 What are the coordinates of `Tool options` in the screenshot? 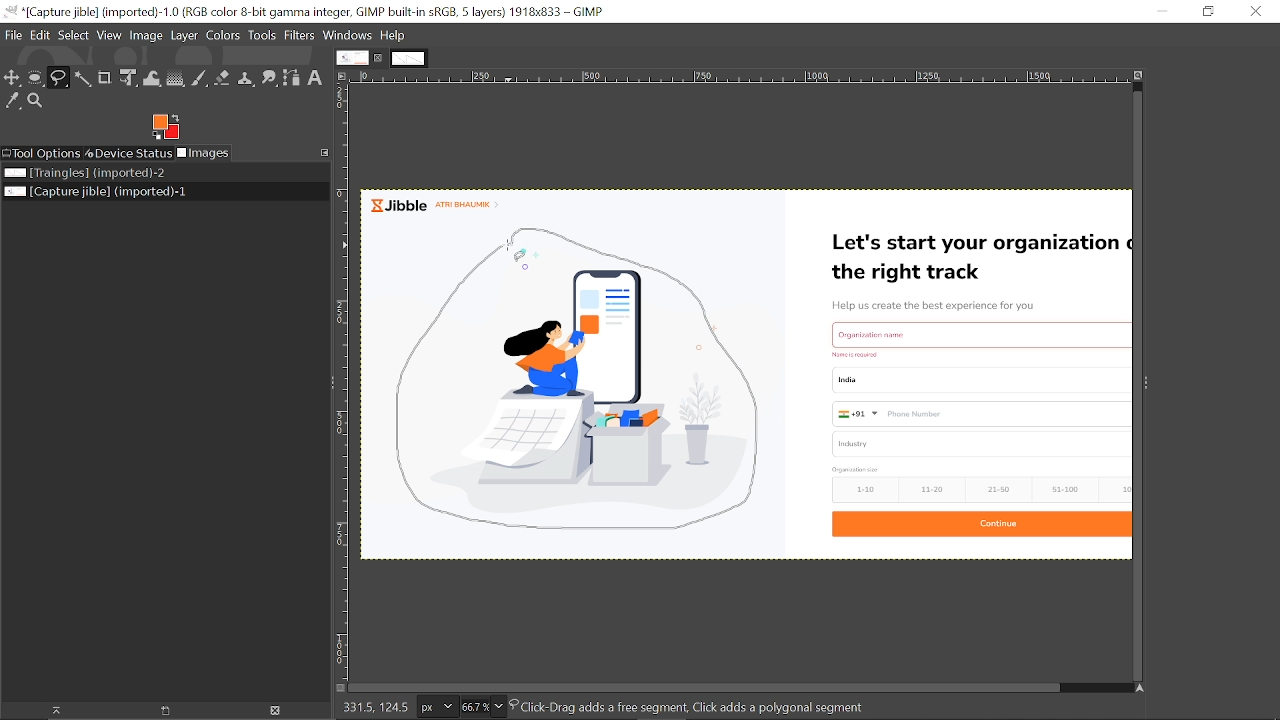 It's located at (41, 153).